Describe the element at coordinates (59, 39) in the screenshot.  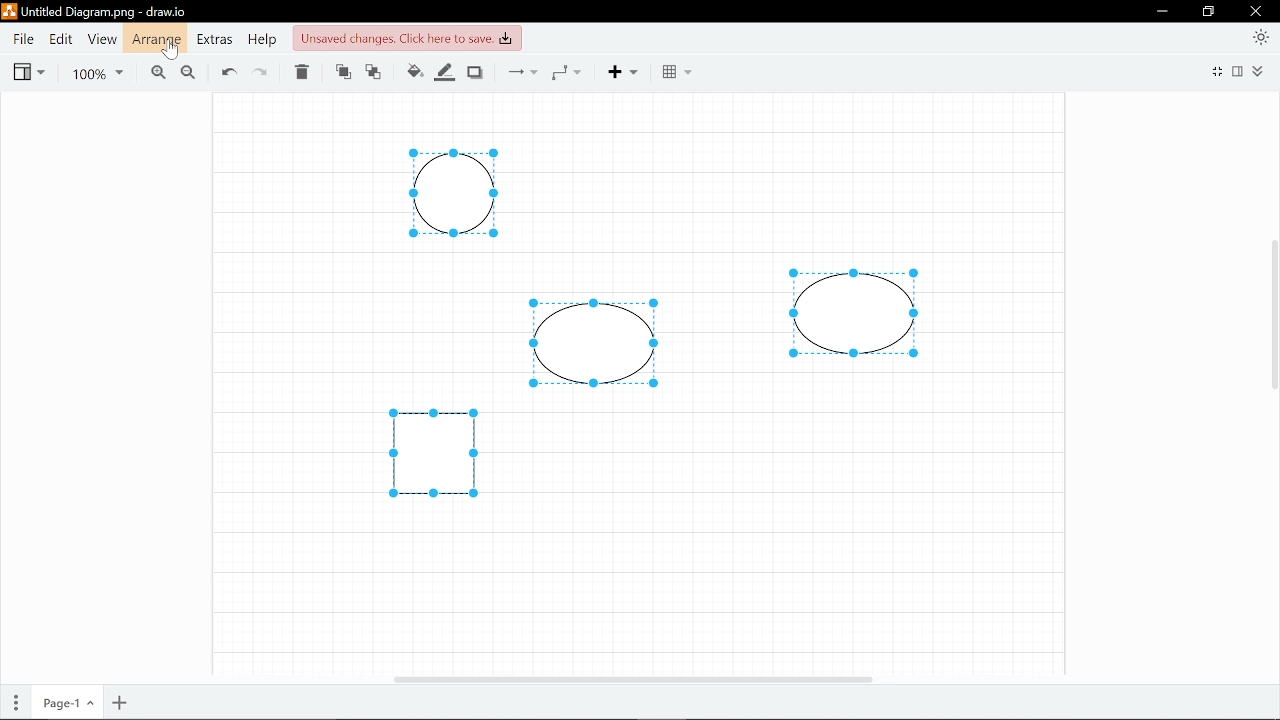
I see `Edit` at that location.